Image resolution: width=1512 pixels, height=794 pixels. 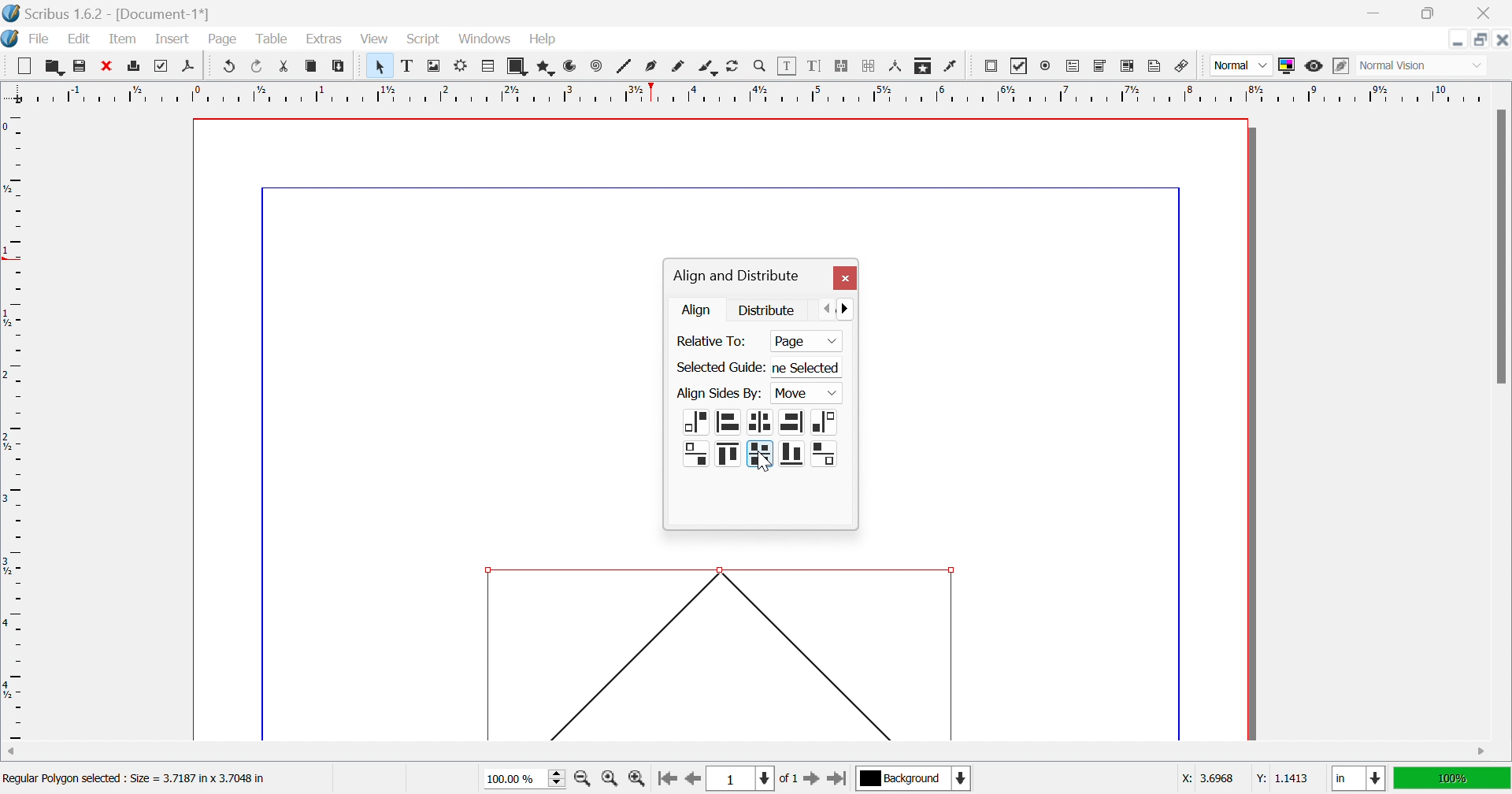 What do you see at coordinates (83, 40) in the screenshot?
I see `Edit` at bounding box center [83, 40].